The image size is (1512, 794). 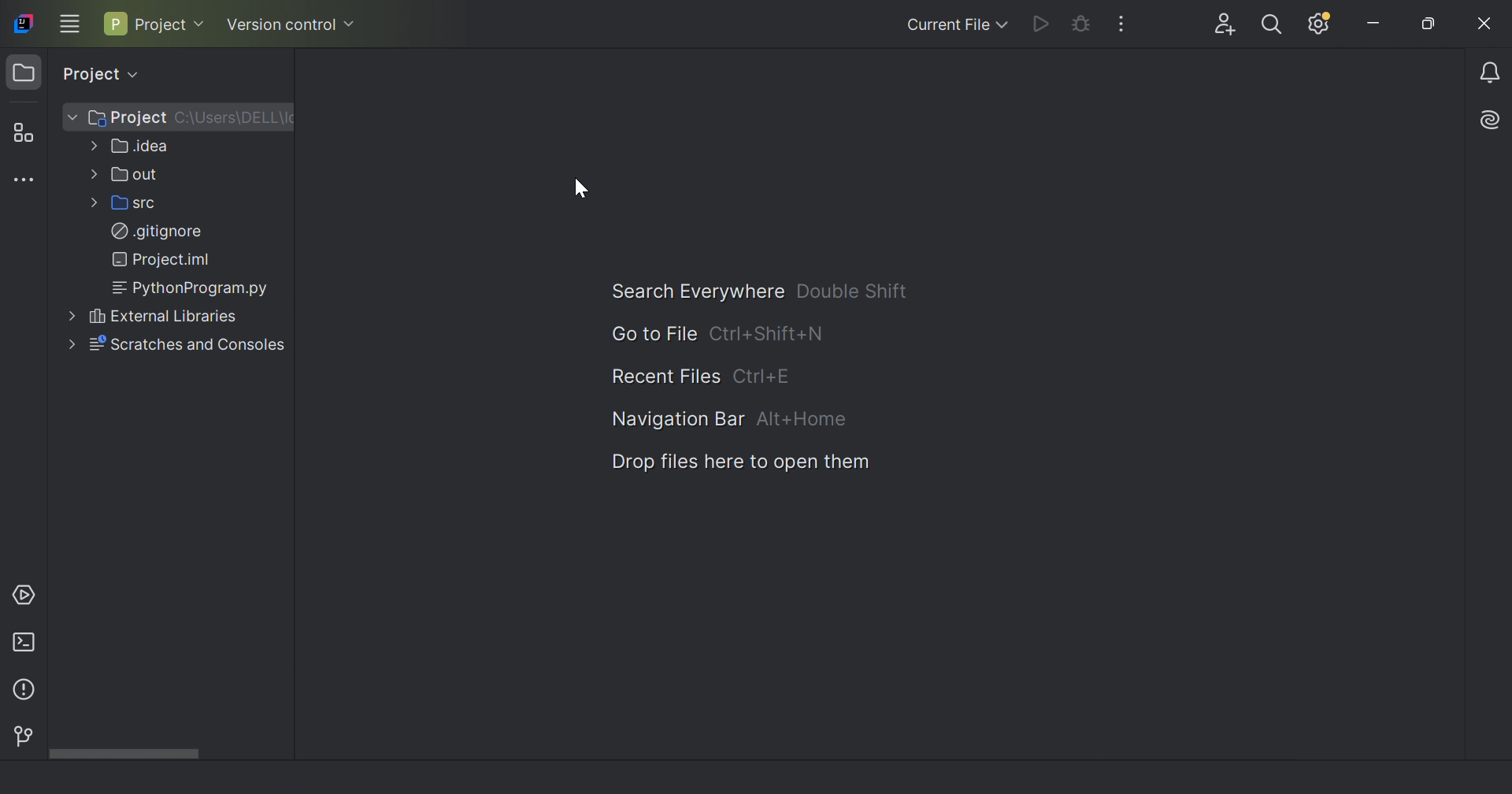 I want to click on Cursor, so click(x=581, y=187).